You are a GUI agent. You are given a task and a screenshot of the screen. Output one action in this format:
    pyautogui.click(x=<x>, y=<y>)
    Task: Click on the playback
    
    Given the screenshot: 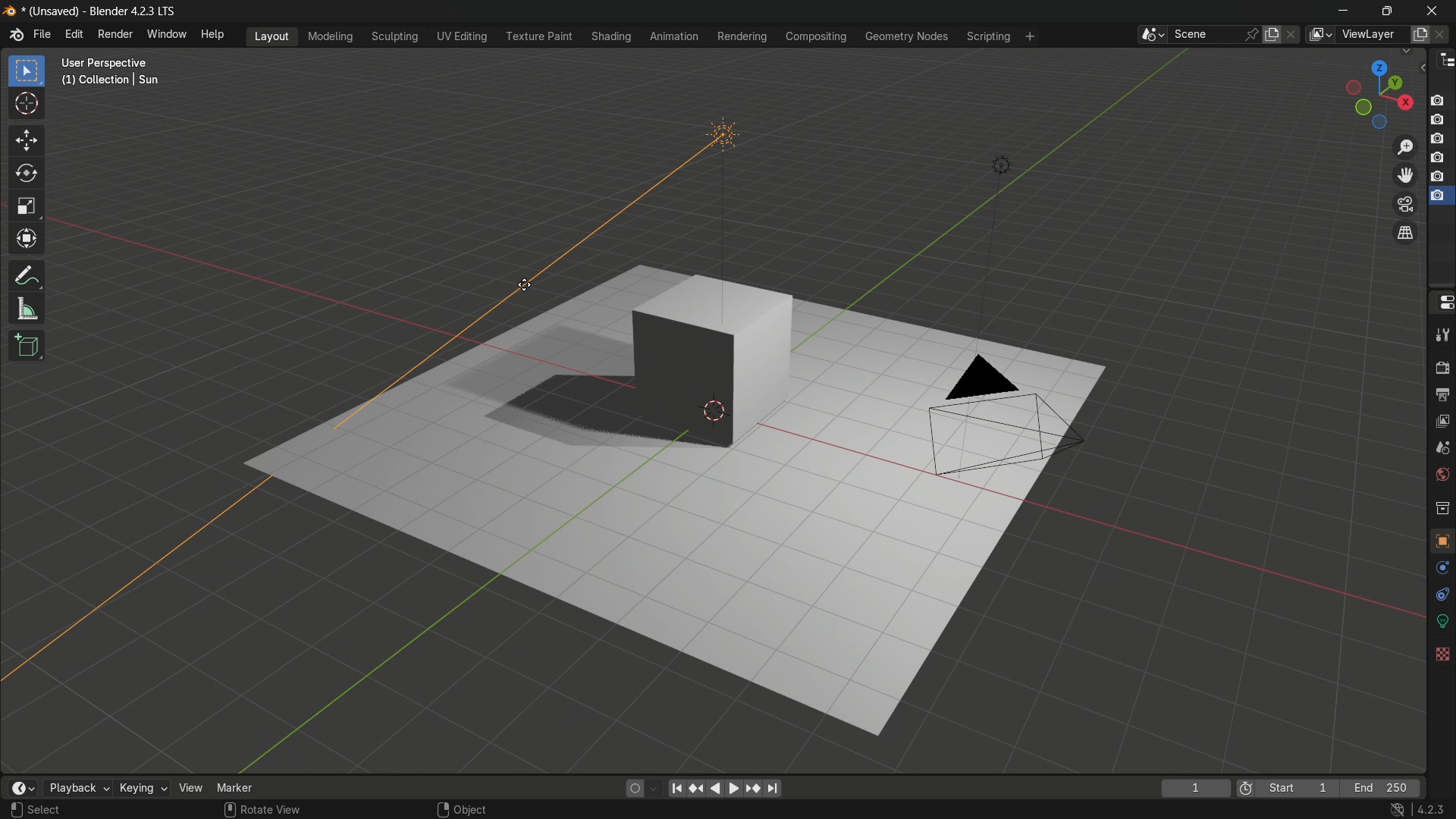 What is the action you would take?
    pyautogui.click(x=75, y=788)
    